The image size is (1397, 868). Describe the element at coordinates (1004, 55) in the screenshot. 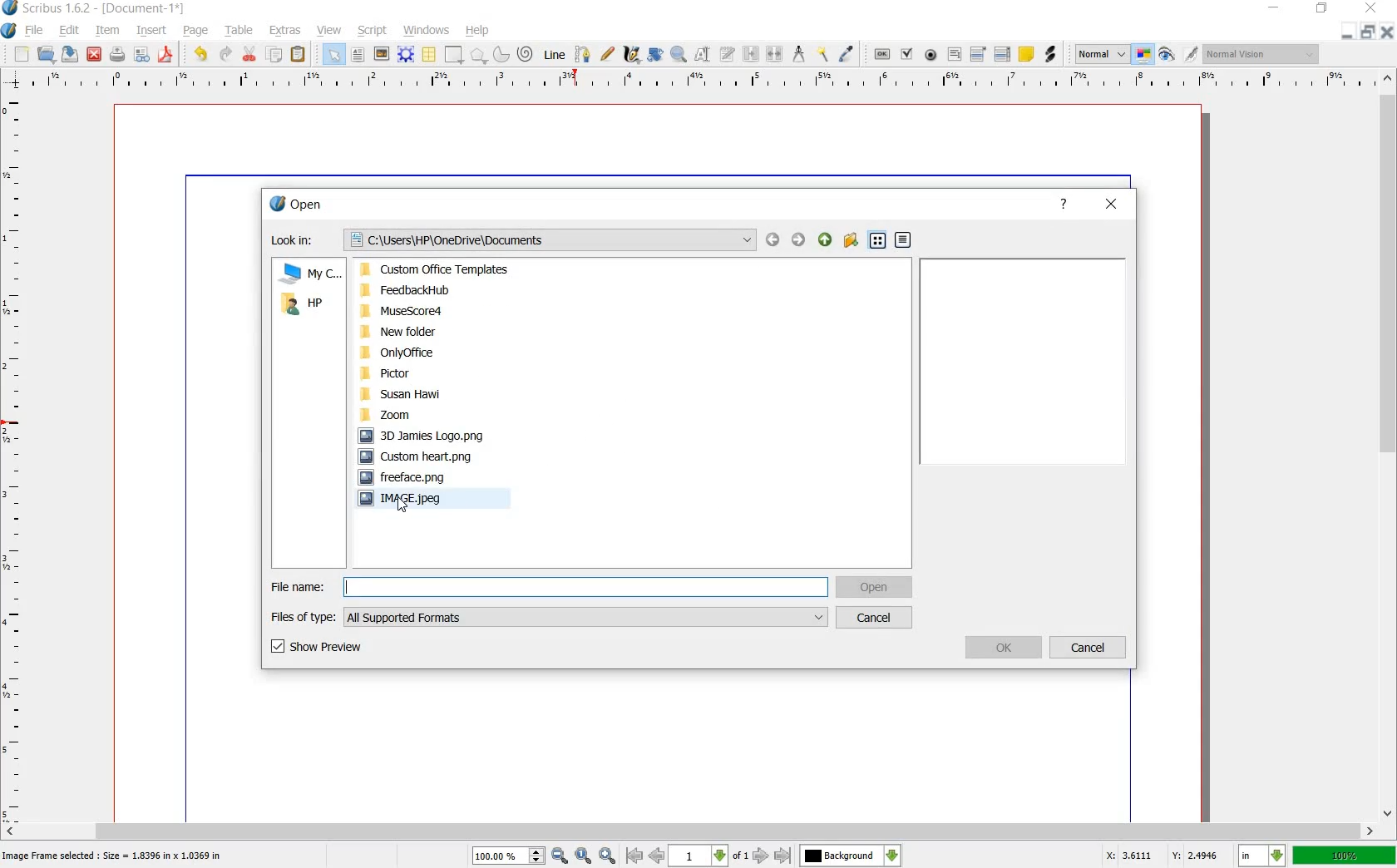

I see `pdf list box` at that location.